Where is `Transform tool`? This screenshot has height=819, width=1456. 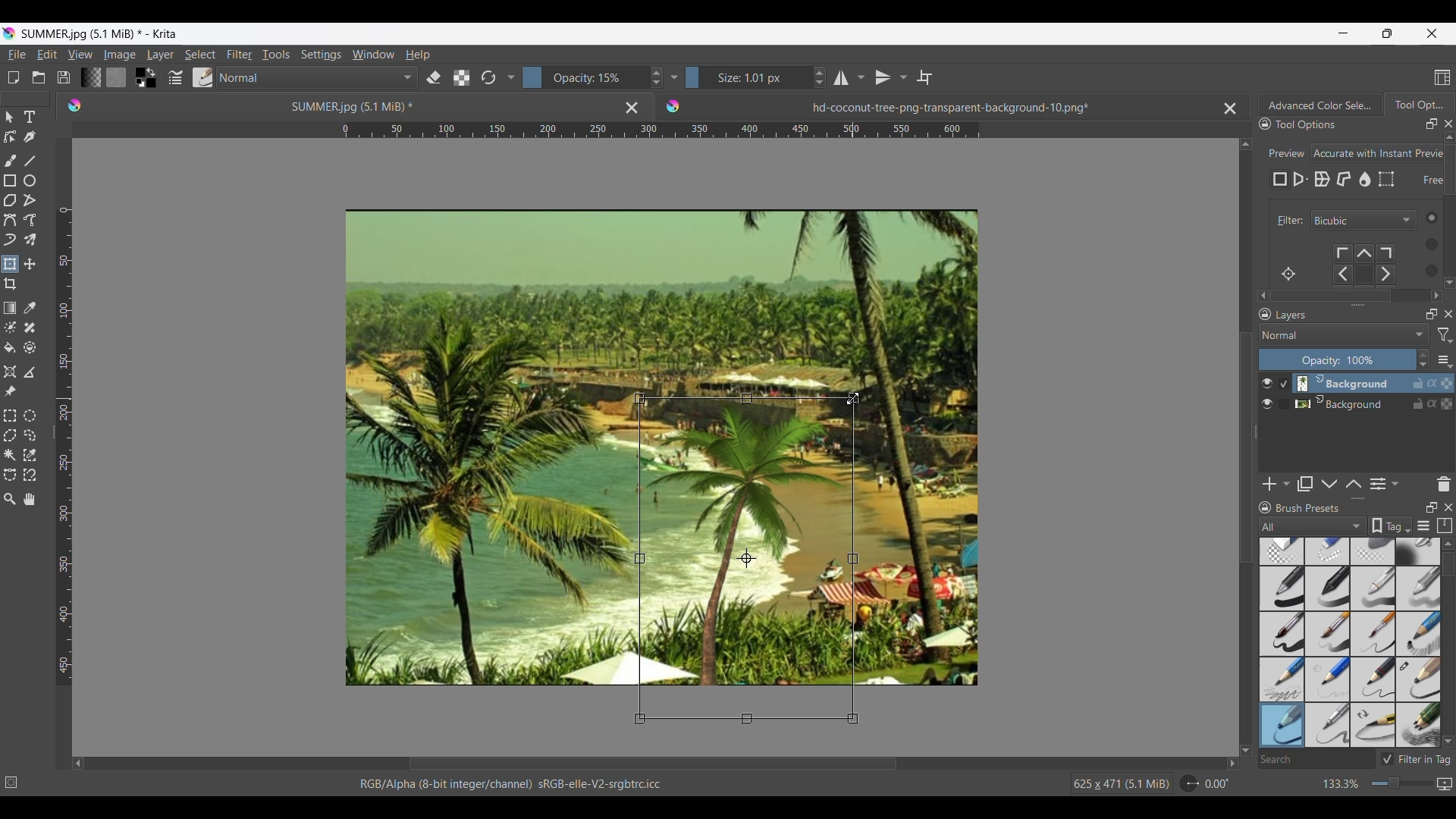 Transform tool is located at coordinates (9, 264).